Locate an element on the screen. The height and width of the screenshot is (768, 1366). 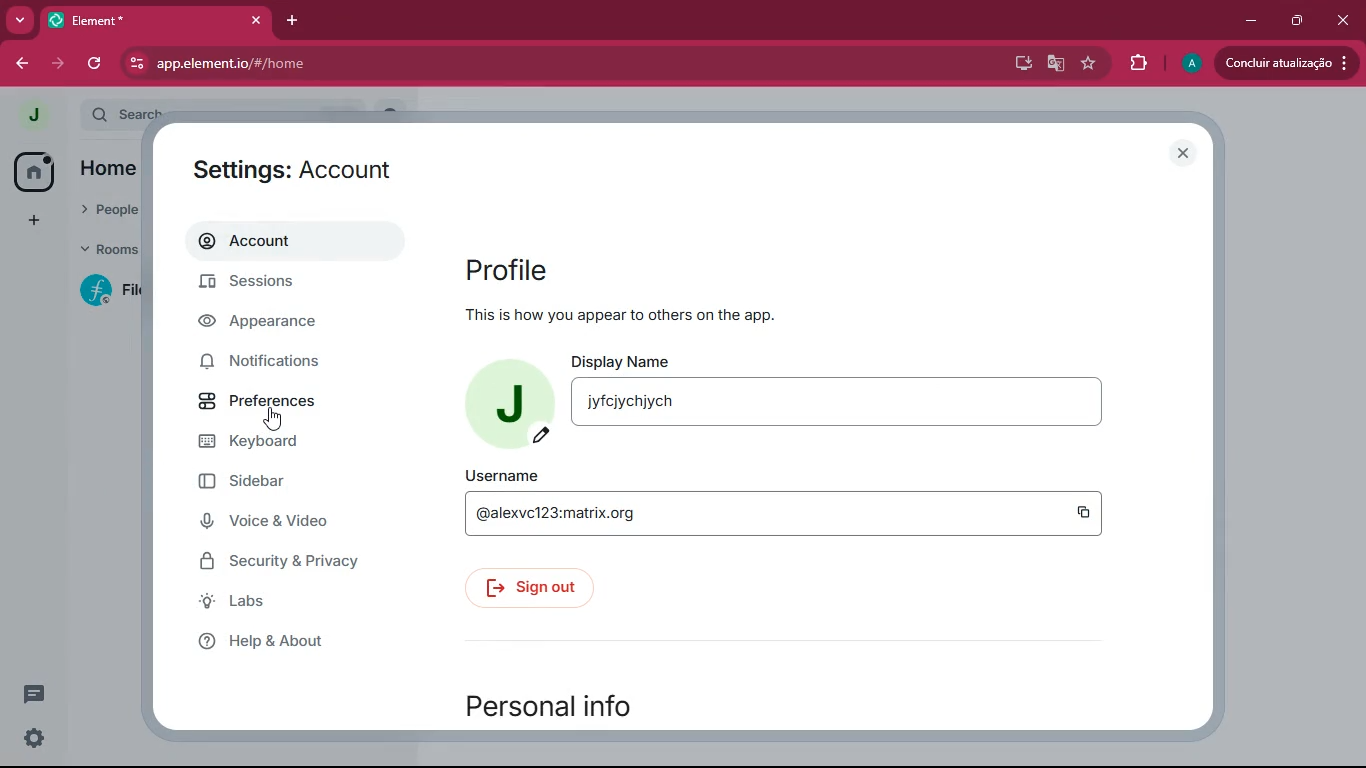
refresh is located at coordinates (98, 63).